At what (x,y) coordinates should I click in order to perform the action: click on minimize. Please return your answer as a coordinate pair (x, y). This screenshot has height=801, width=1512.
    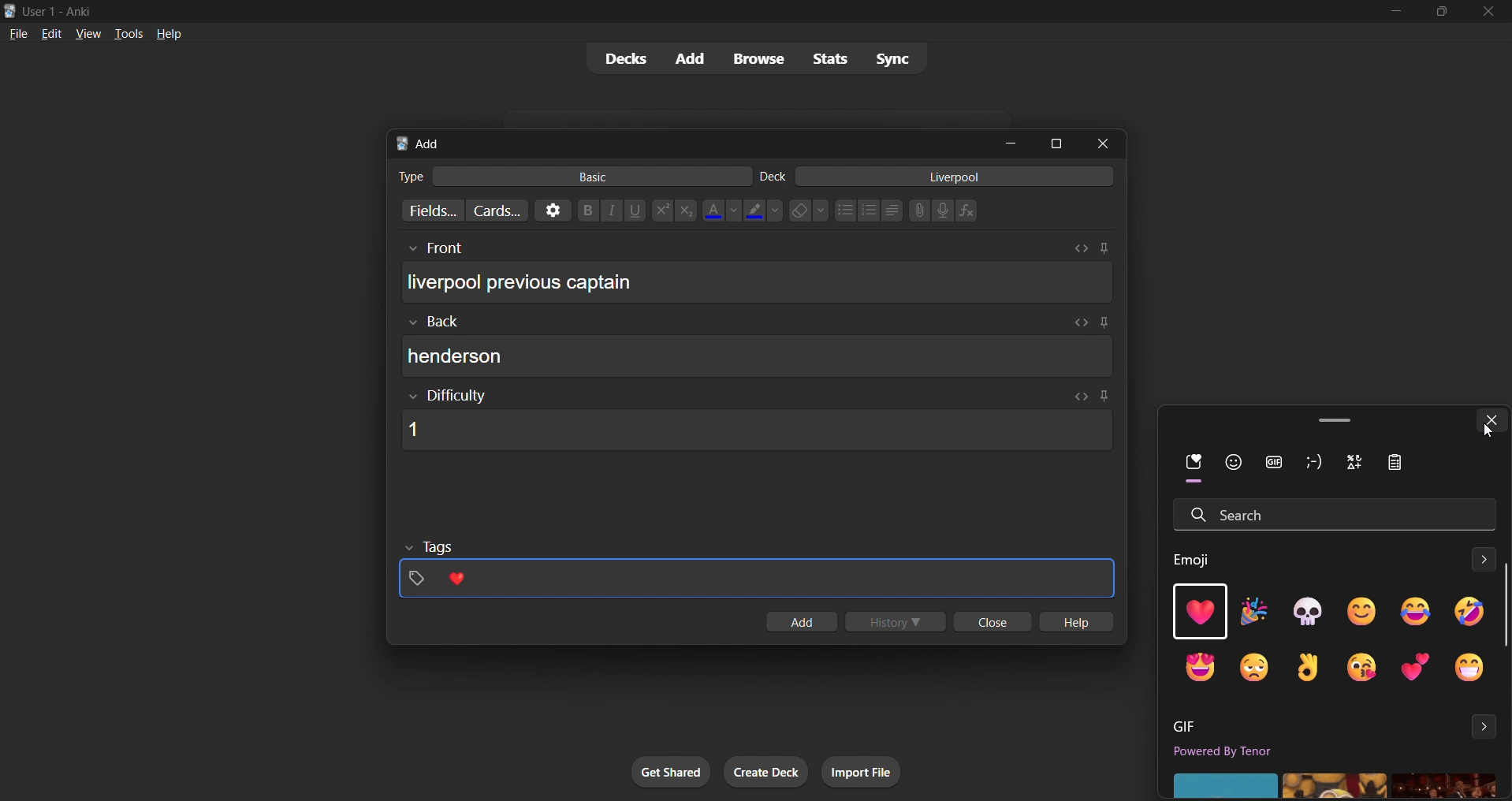
    Looking at the image, I should click on (1393, 13).